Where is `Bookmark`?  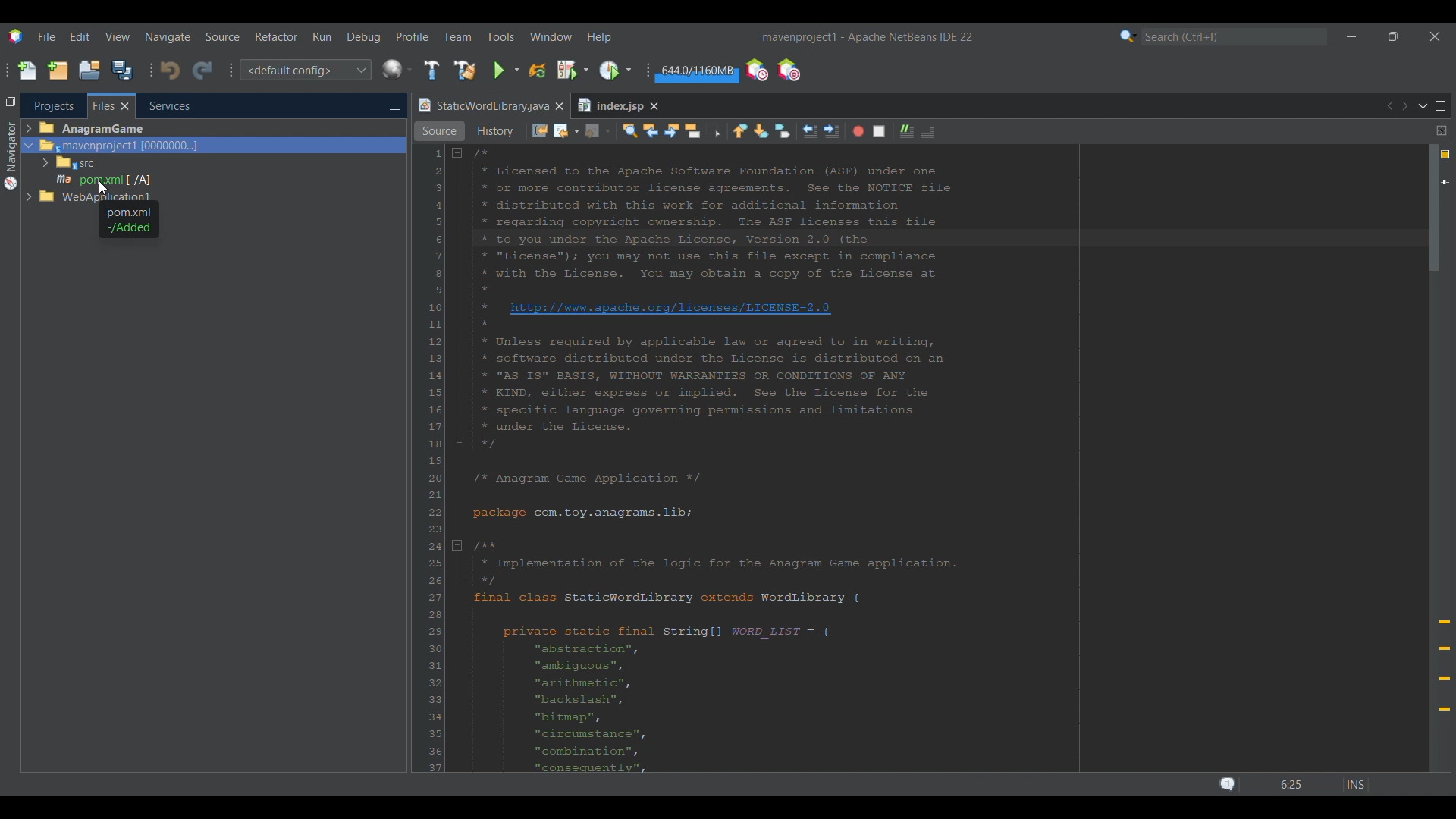 Bookmark is located at coordinates (1445, 182).